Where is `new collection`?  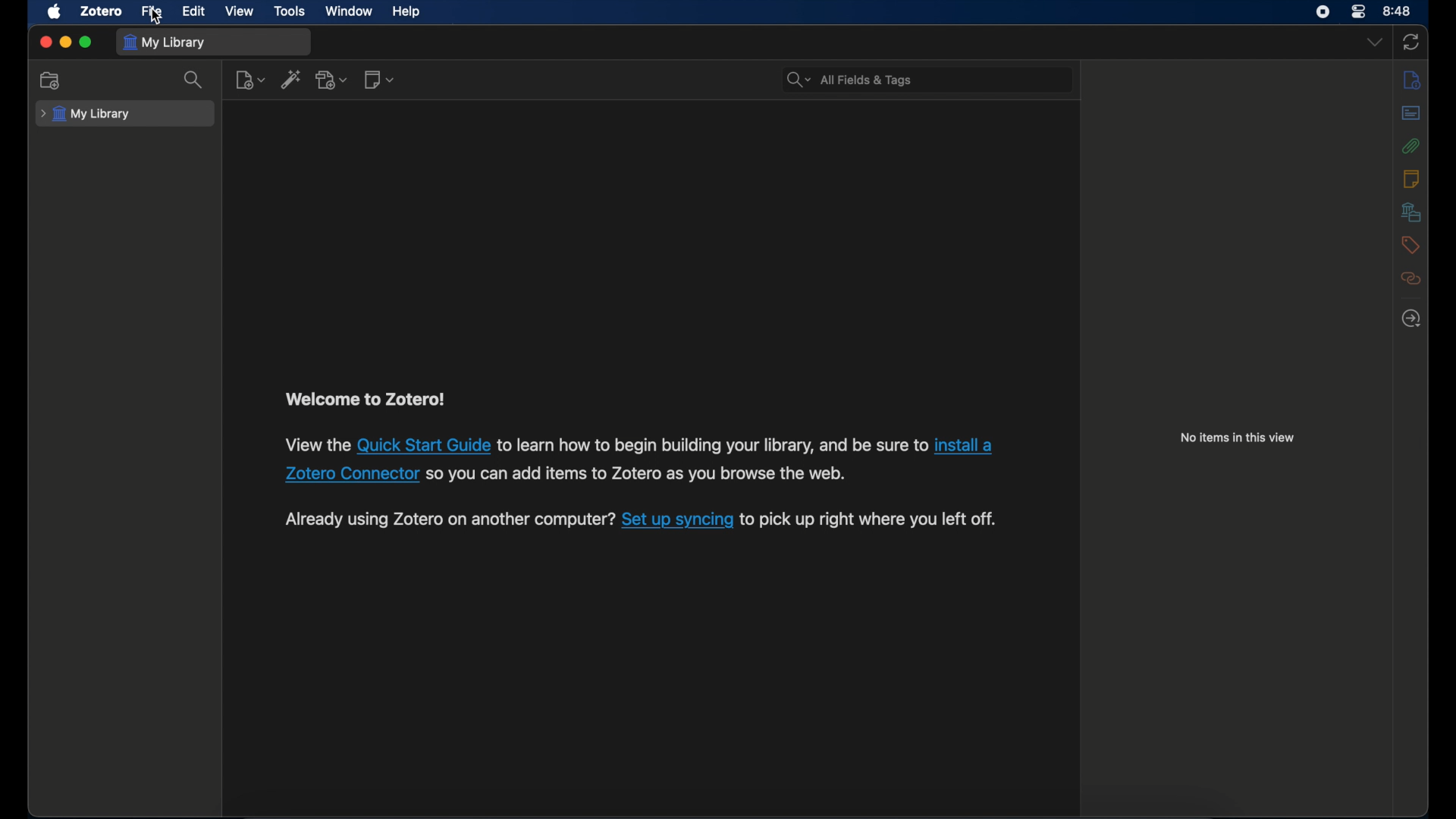 new collection is located at coordinates (52, 81).